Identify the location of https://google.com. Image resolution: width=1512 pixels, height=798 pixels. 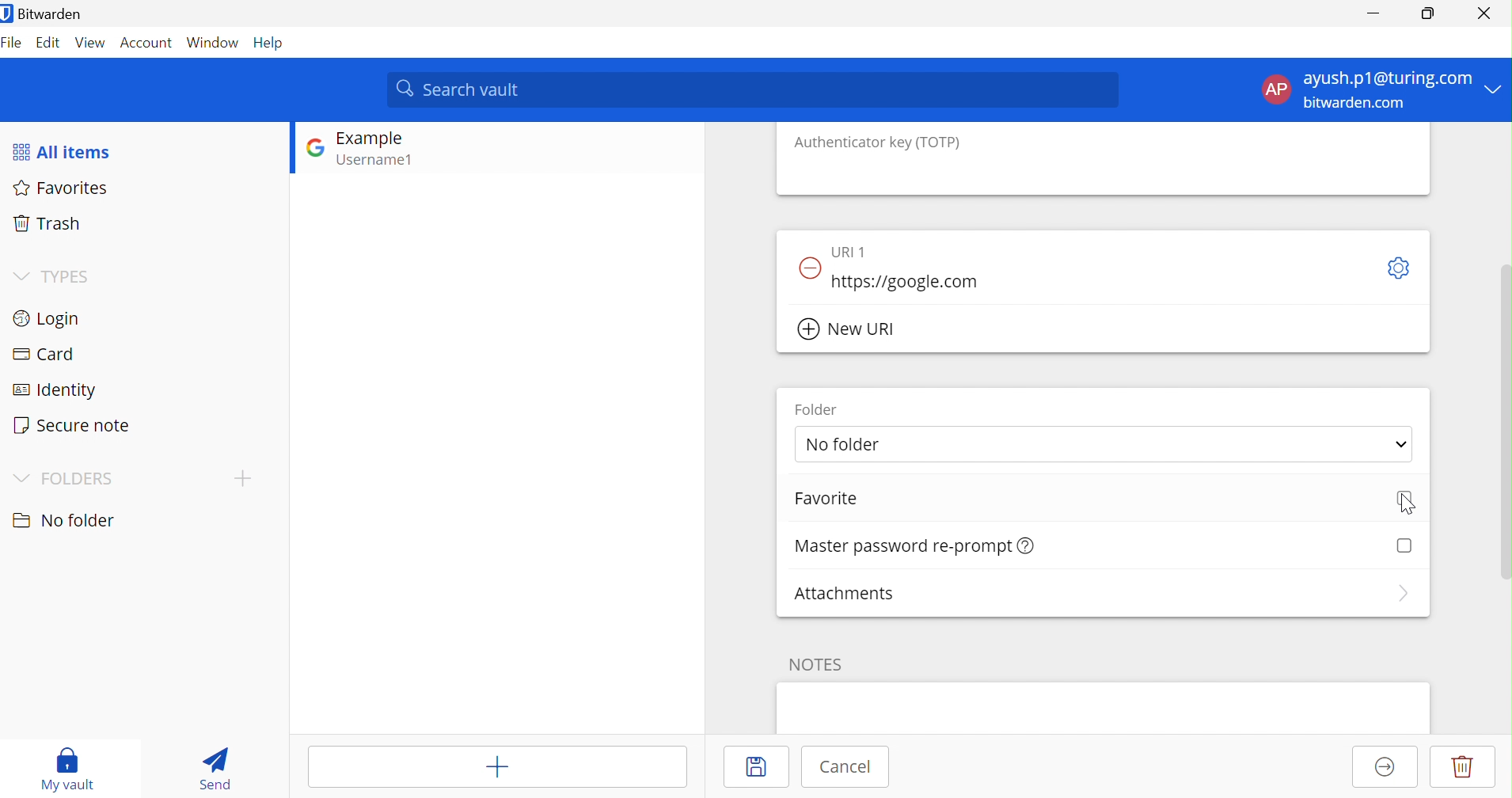
(911, 282).